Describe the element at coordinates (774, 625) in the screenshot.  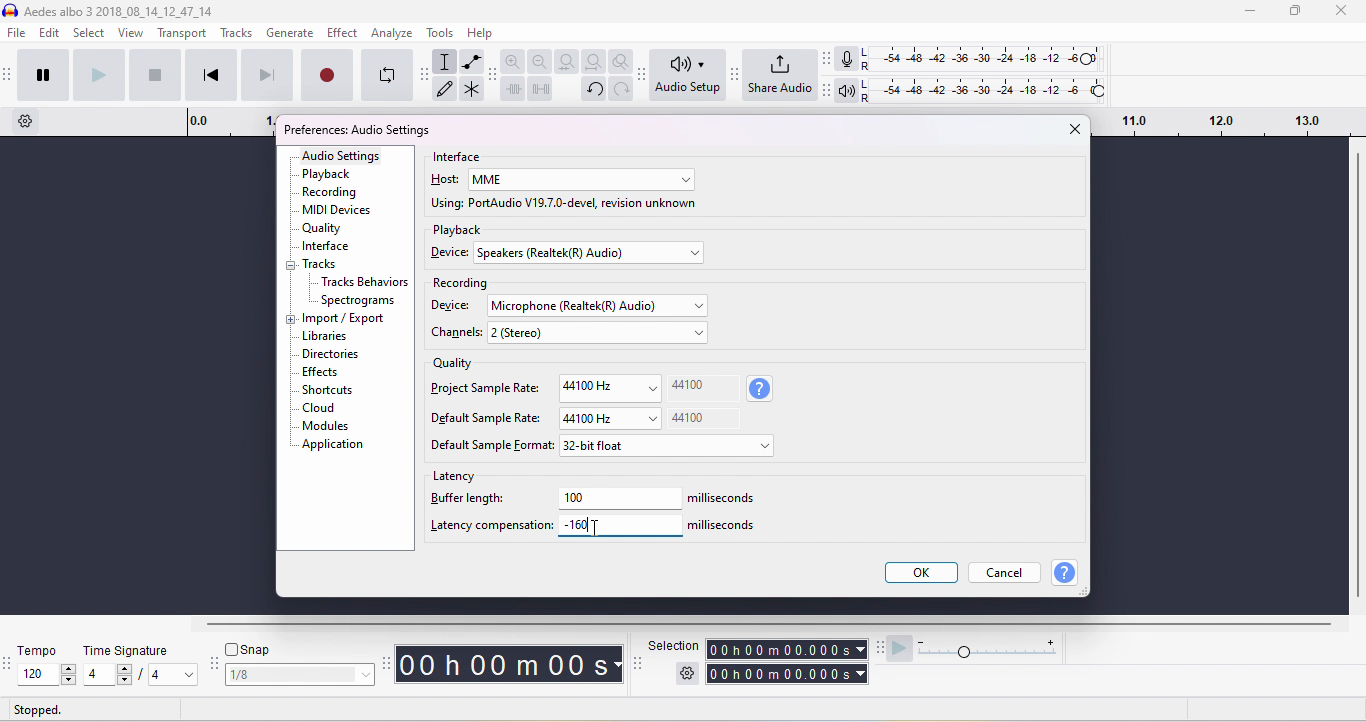
I see `horizontal scroll bar` at that location.